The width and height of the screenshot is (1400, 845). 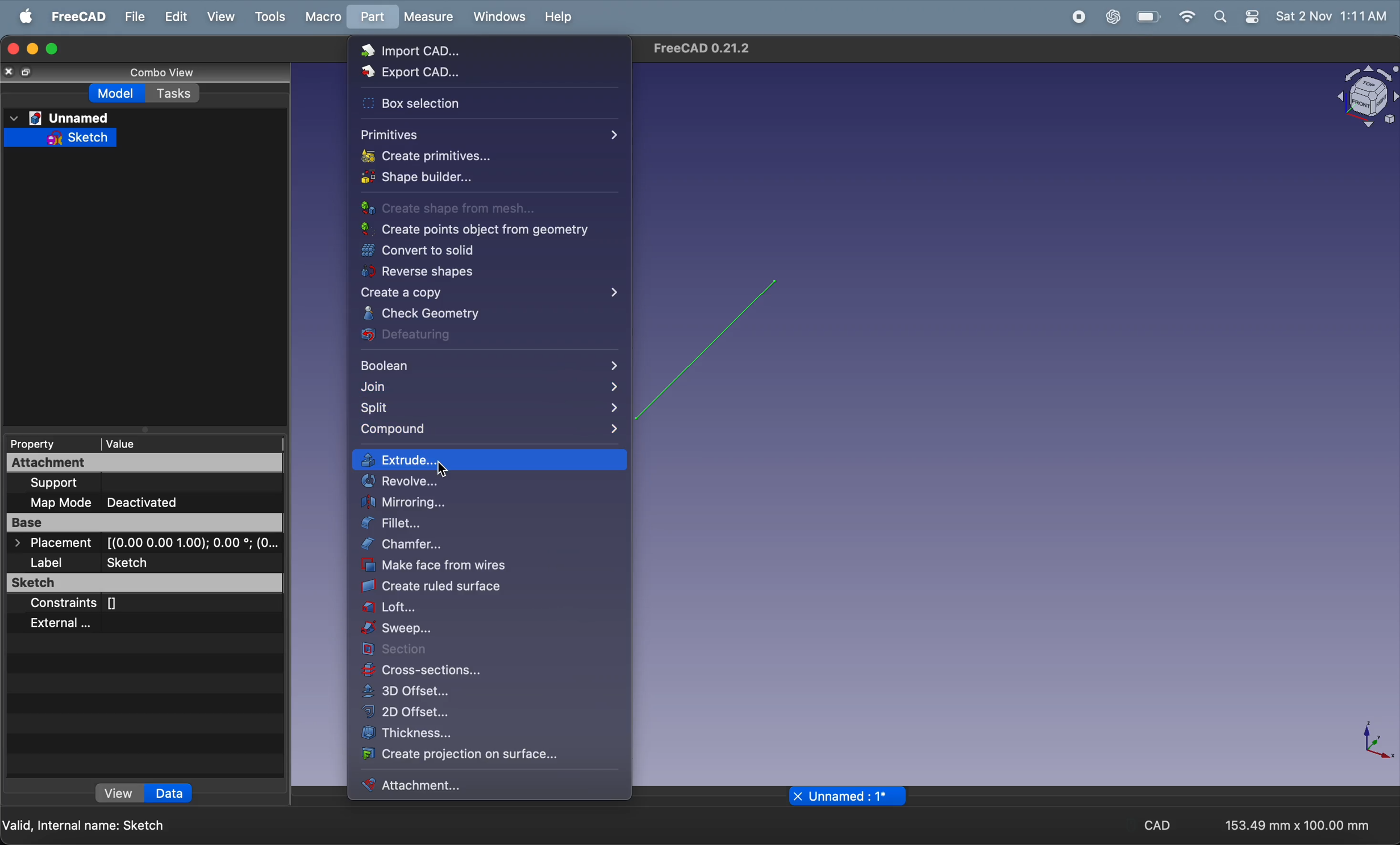 What do you see at coordinates (177, 17) in the screenshot?
I see `edit` at bounding box center [177, 17].